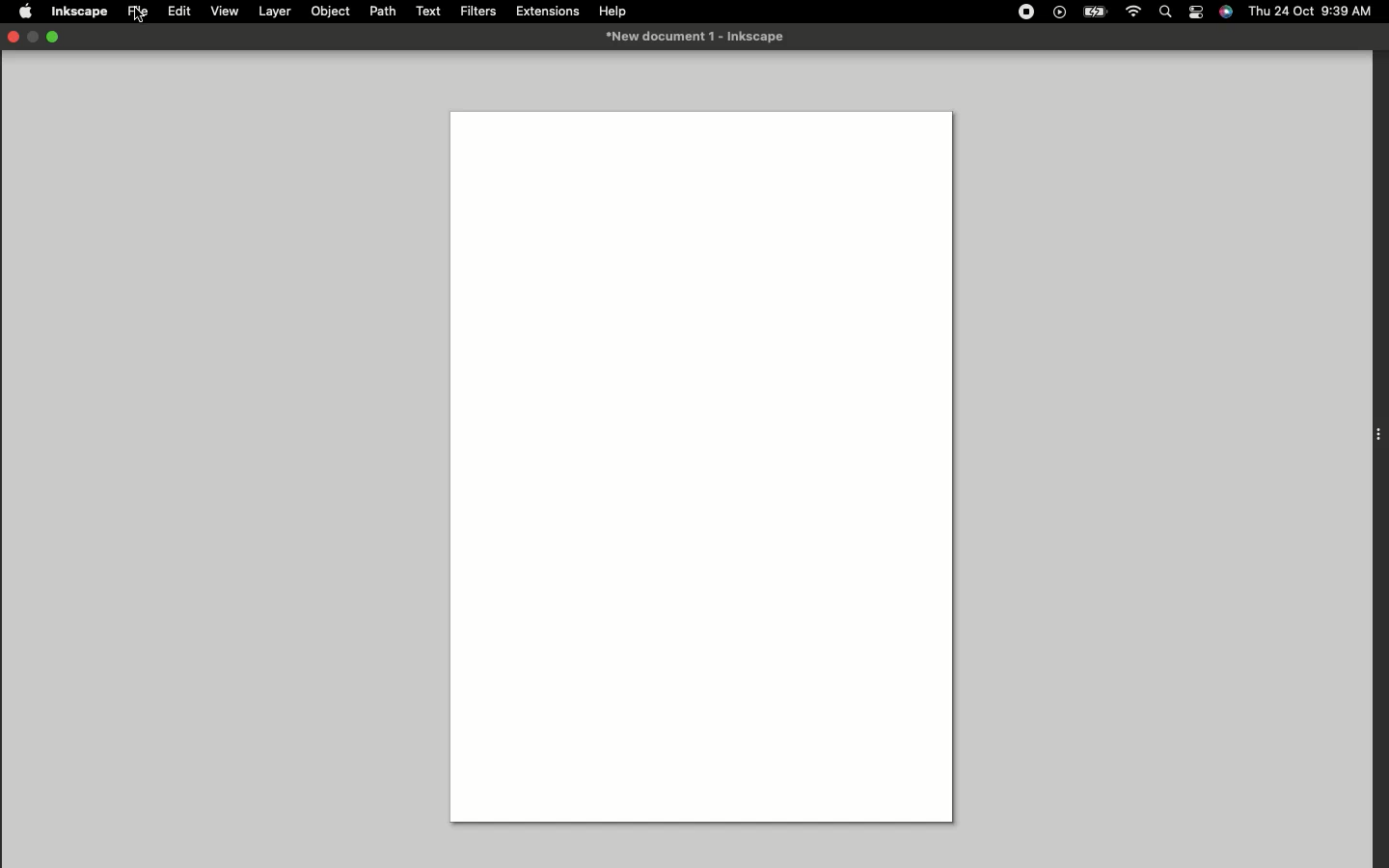 The height and width of the screenshot is (868, 1389). Describe the element at coordinates (25, 14) in the screenshot. I see `Apple logo` at that location.